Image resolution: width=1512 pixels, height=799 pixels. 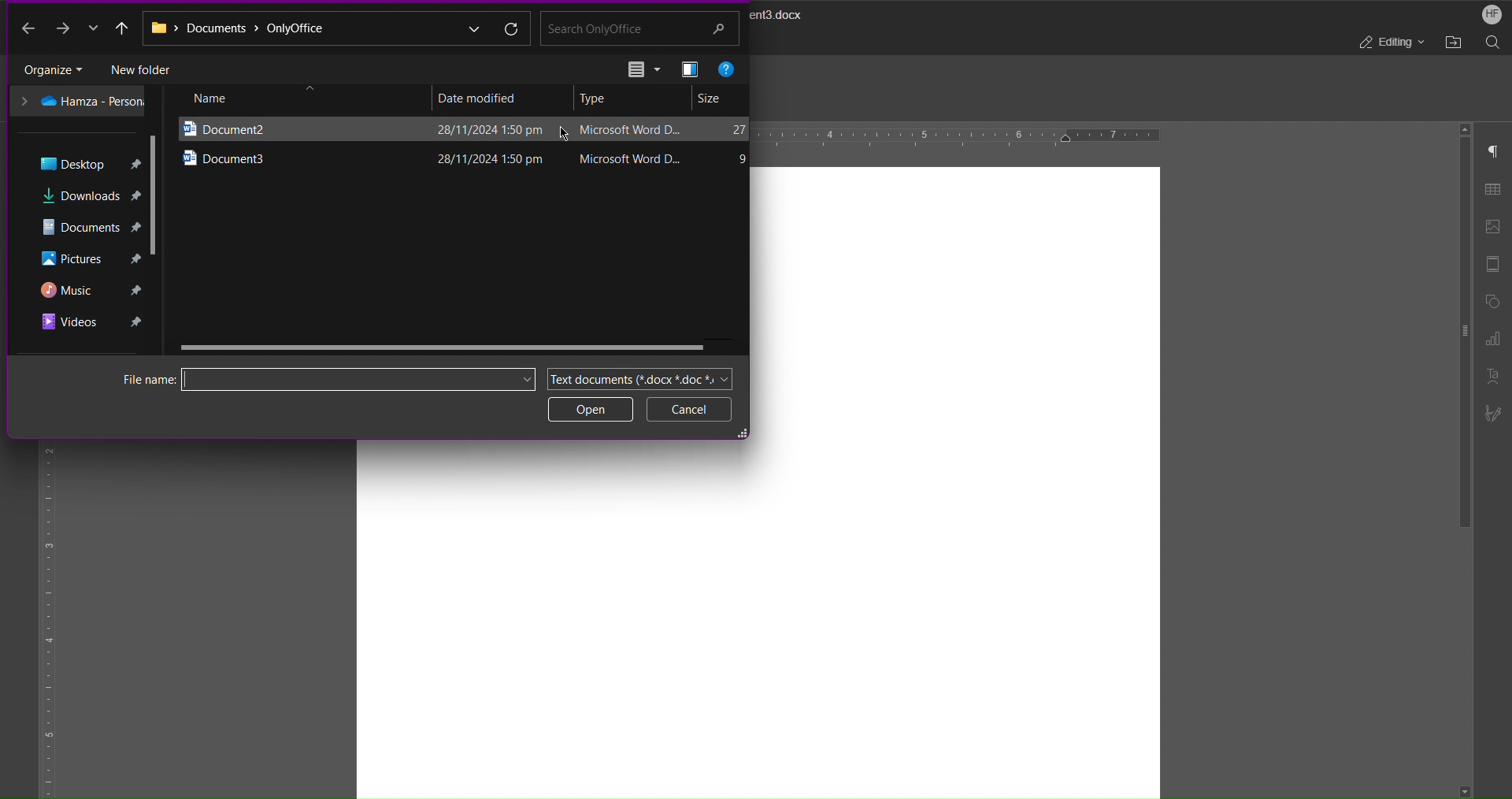 I want to click on Horizontal scroll bar, so click(x=450, y=344).